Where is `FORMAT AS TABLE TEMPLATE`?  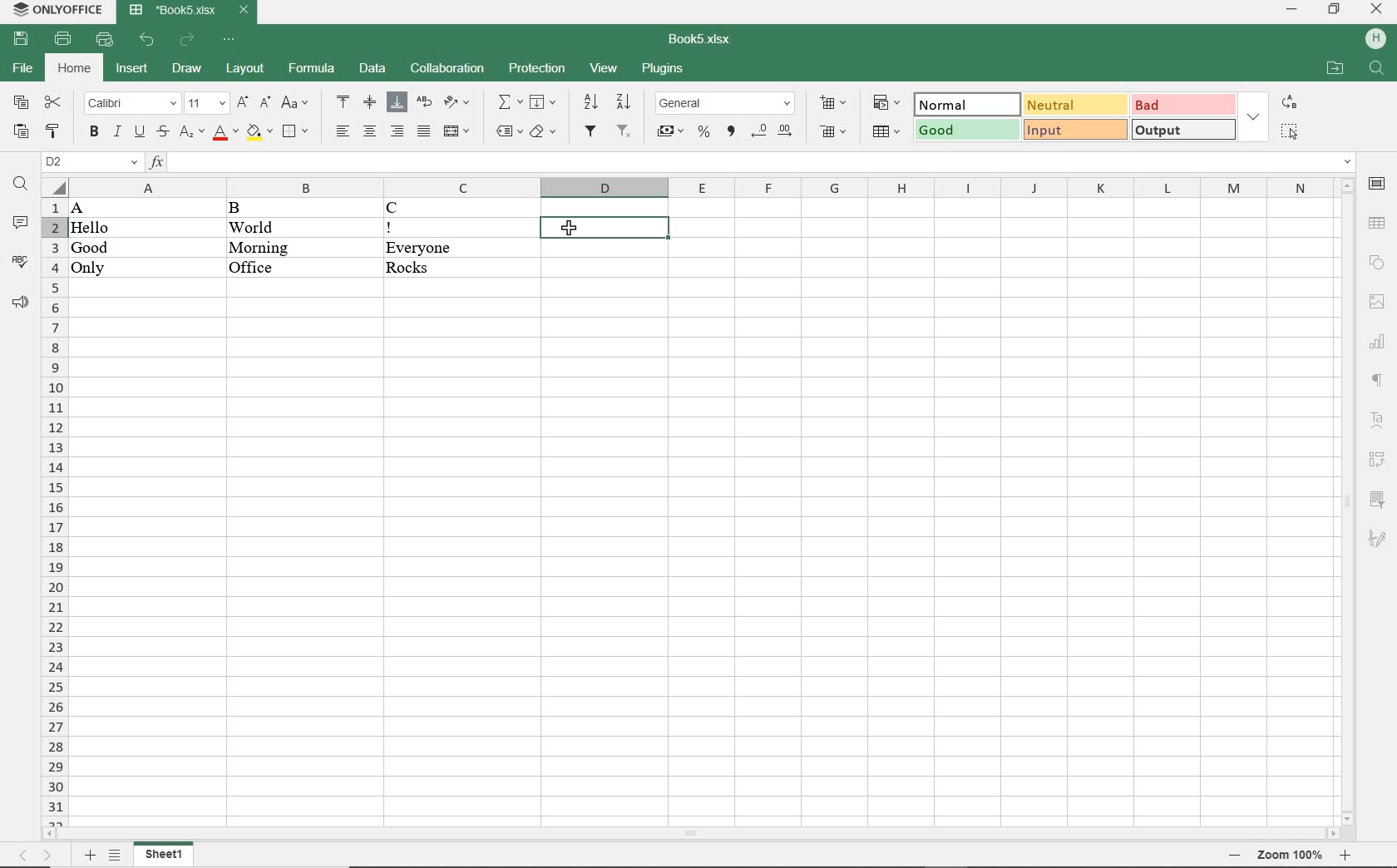 FORMAT AS TABLE TEMPLATE is located at coordinates (886, 131).